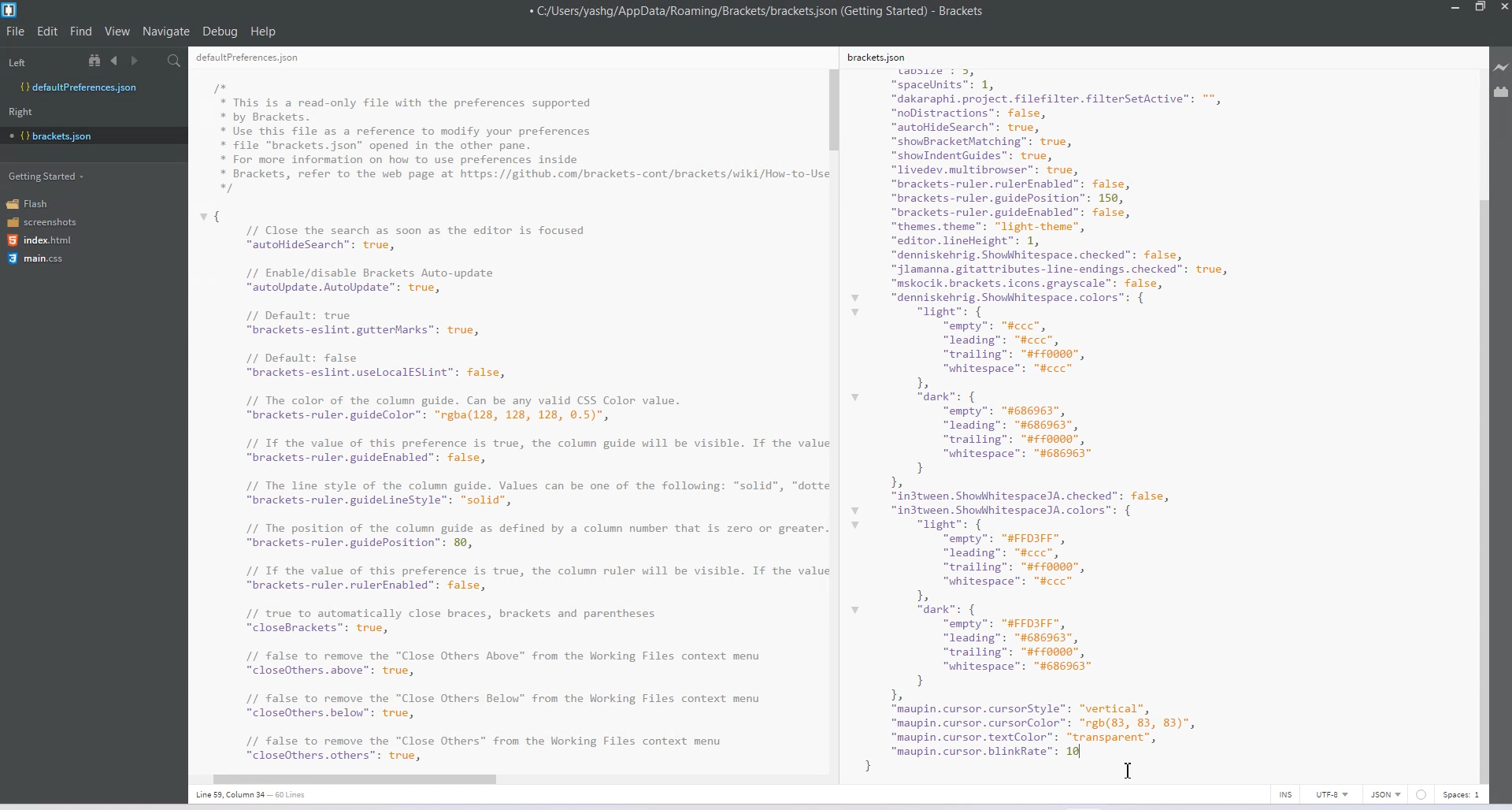  Describe the element at coordinates (1128, 770) in the screenshot. I see `Text Cursor` at that location.